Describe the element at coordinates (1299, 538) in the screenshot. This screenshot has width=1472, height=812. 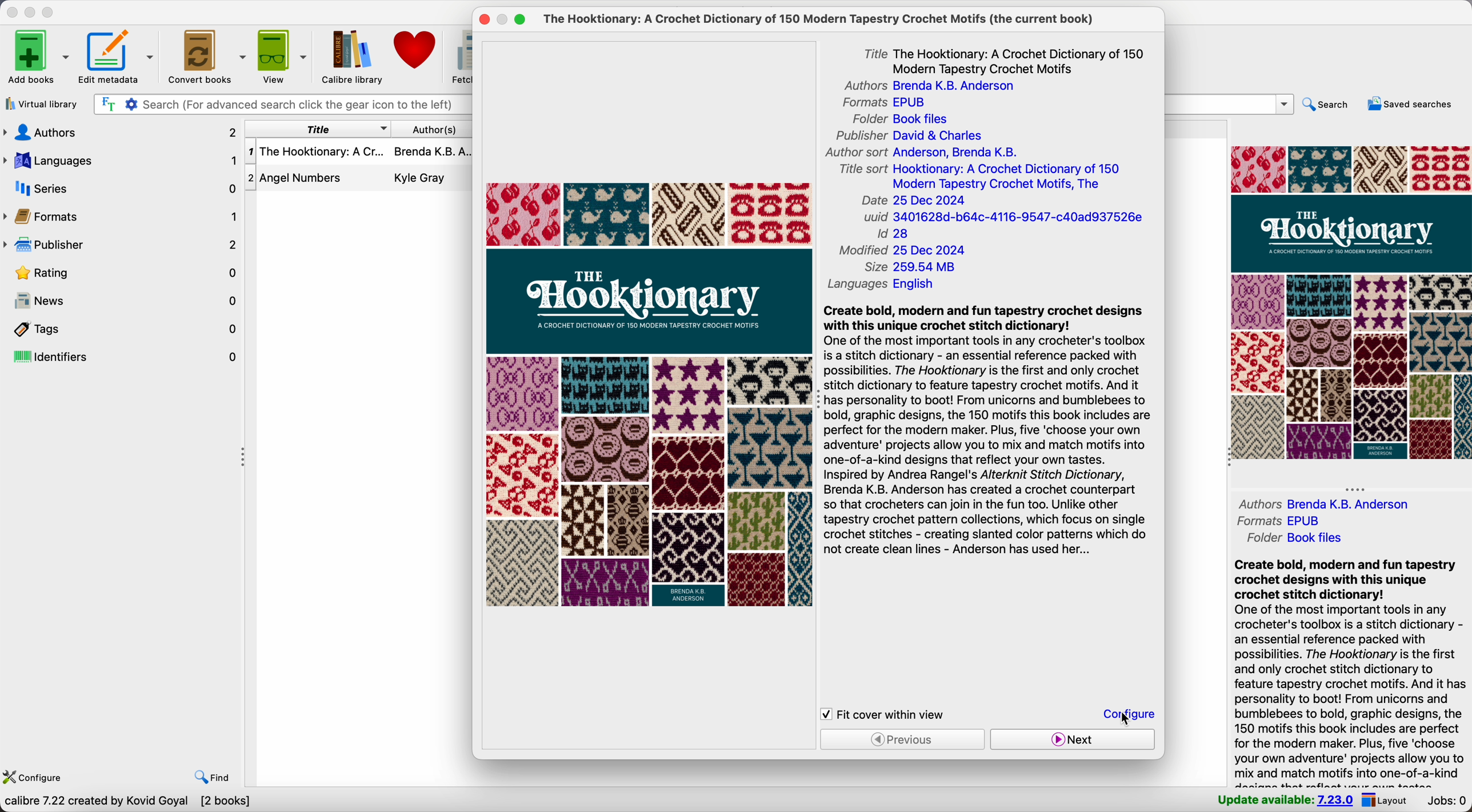
I see `folder` at that location.